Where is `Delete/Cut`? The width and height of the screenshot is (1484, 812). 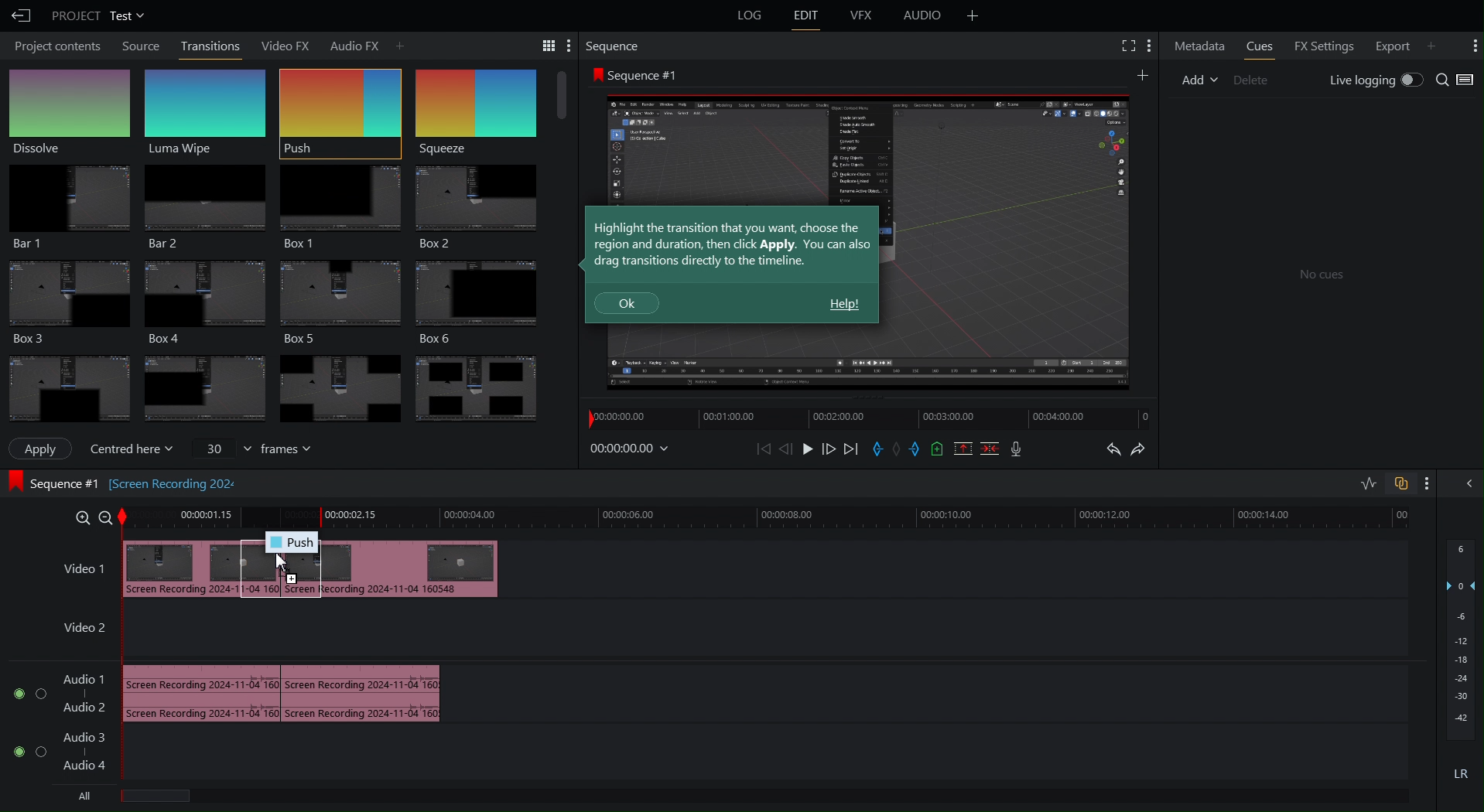 Delete/Cut is located at coordinates (990, 448).